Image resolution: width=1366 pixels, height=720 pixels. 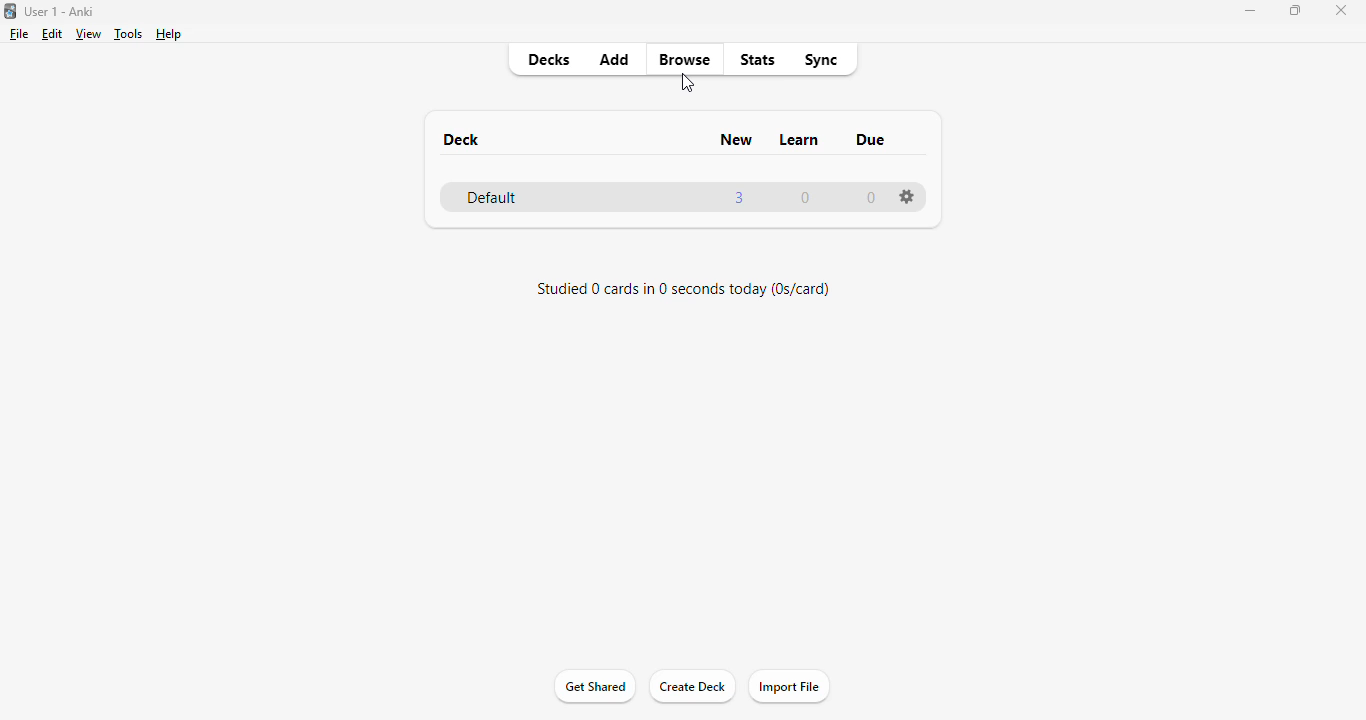 What do you see at coordinates (19, 34) in the screenshot?
I see `file` at bounding box center [19, 34].